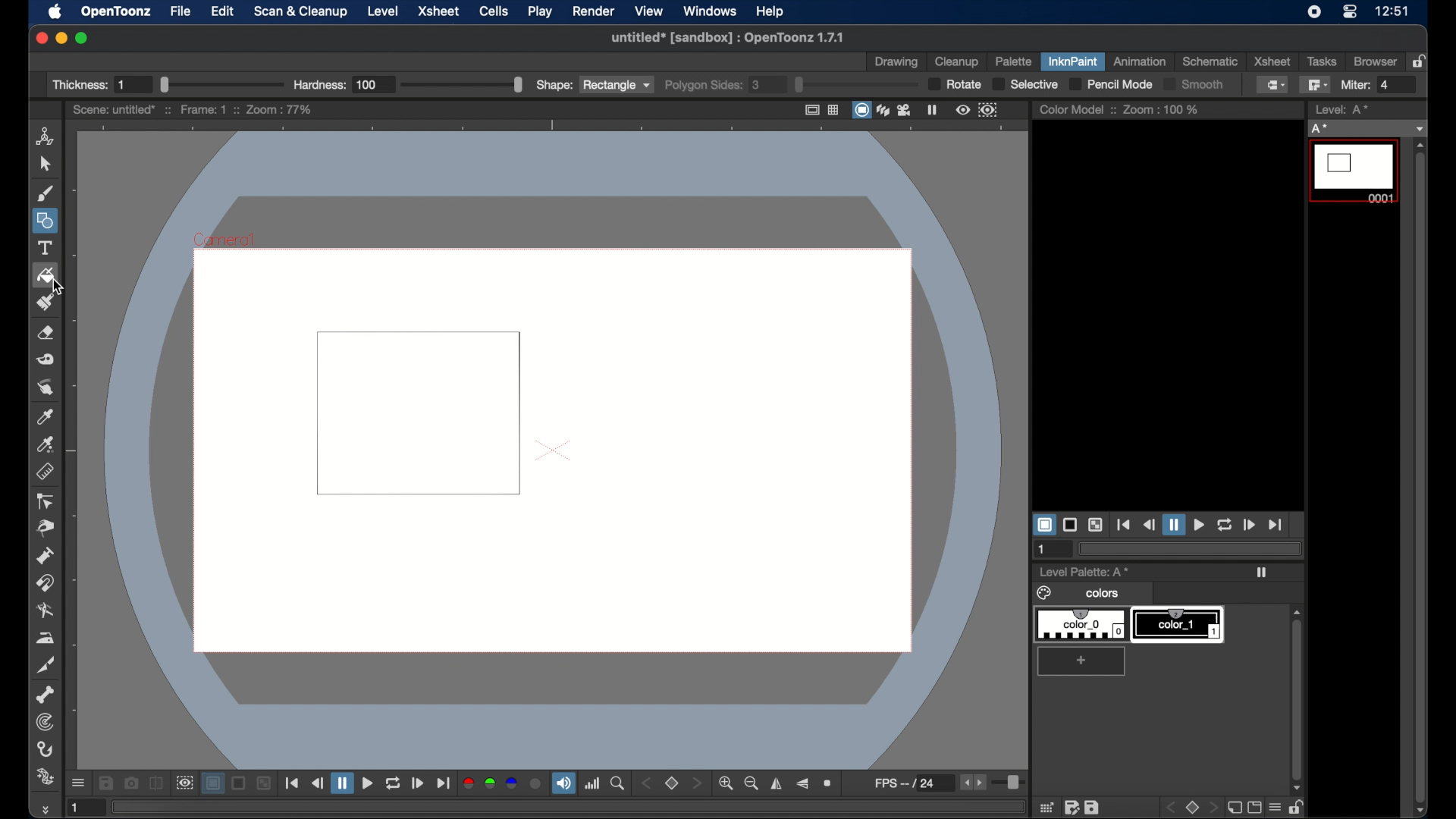 The height and width of the screenshot is (819, 1456). I want to click on picker tool, so click(46, 444).